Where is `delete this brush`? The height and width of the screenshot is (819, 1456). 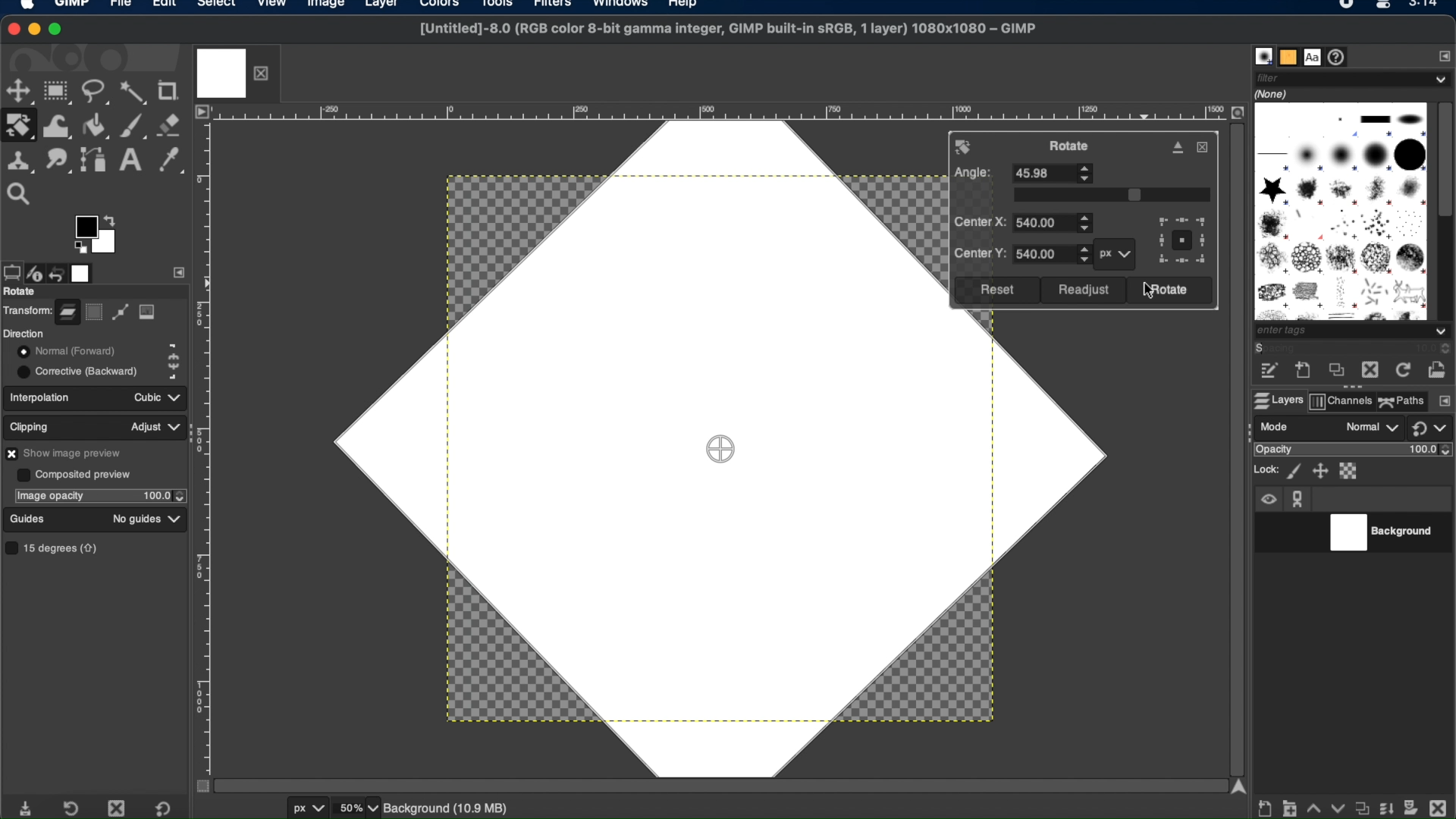 delete this brush is located at coordinates (1370, 370).